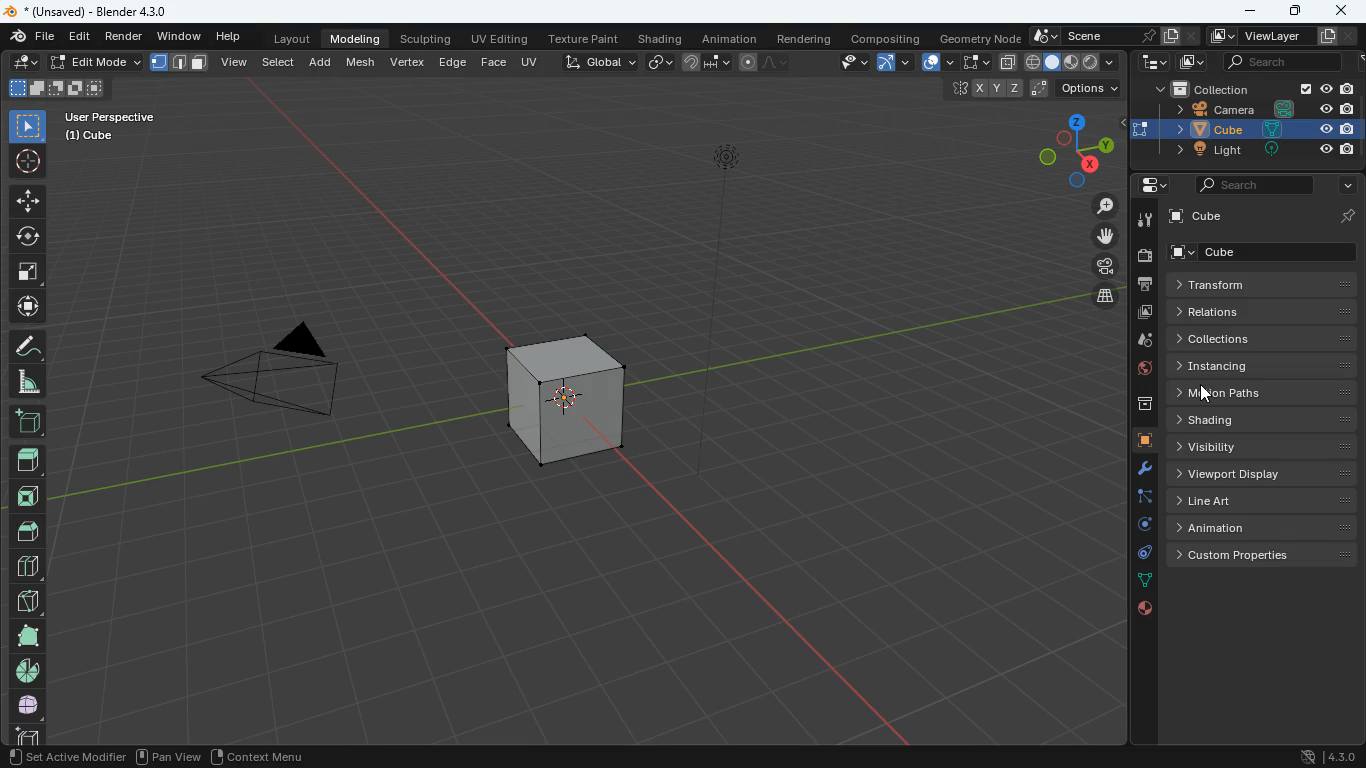 This screenshot has height=768, width=1366. What do you see at coordinates (1142, 582) in the screenshot?
I see `dots` at bounding box center [1142, 582].